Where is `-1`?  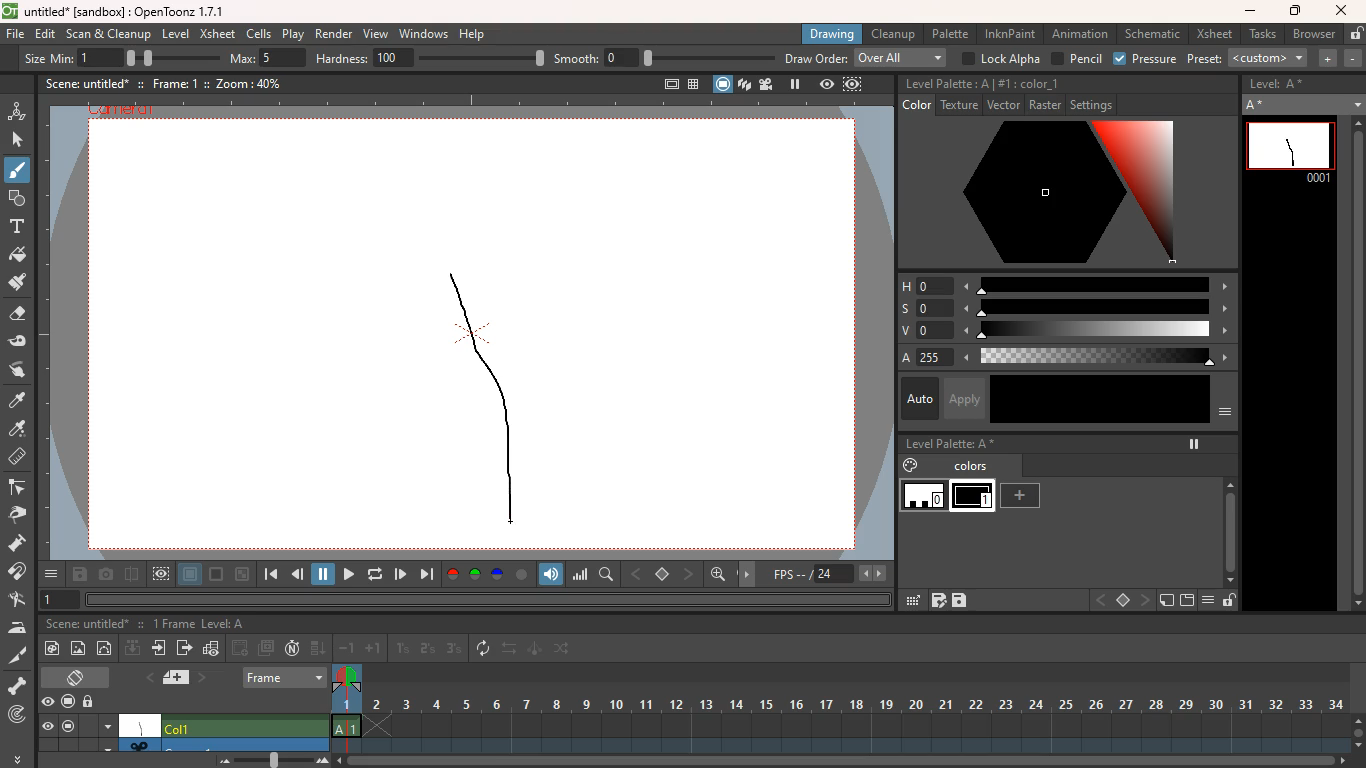 -1 is located at coordinates (347, 648).